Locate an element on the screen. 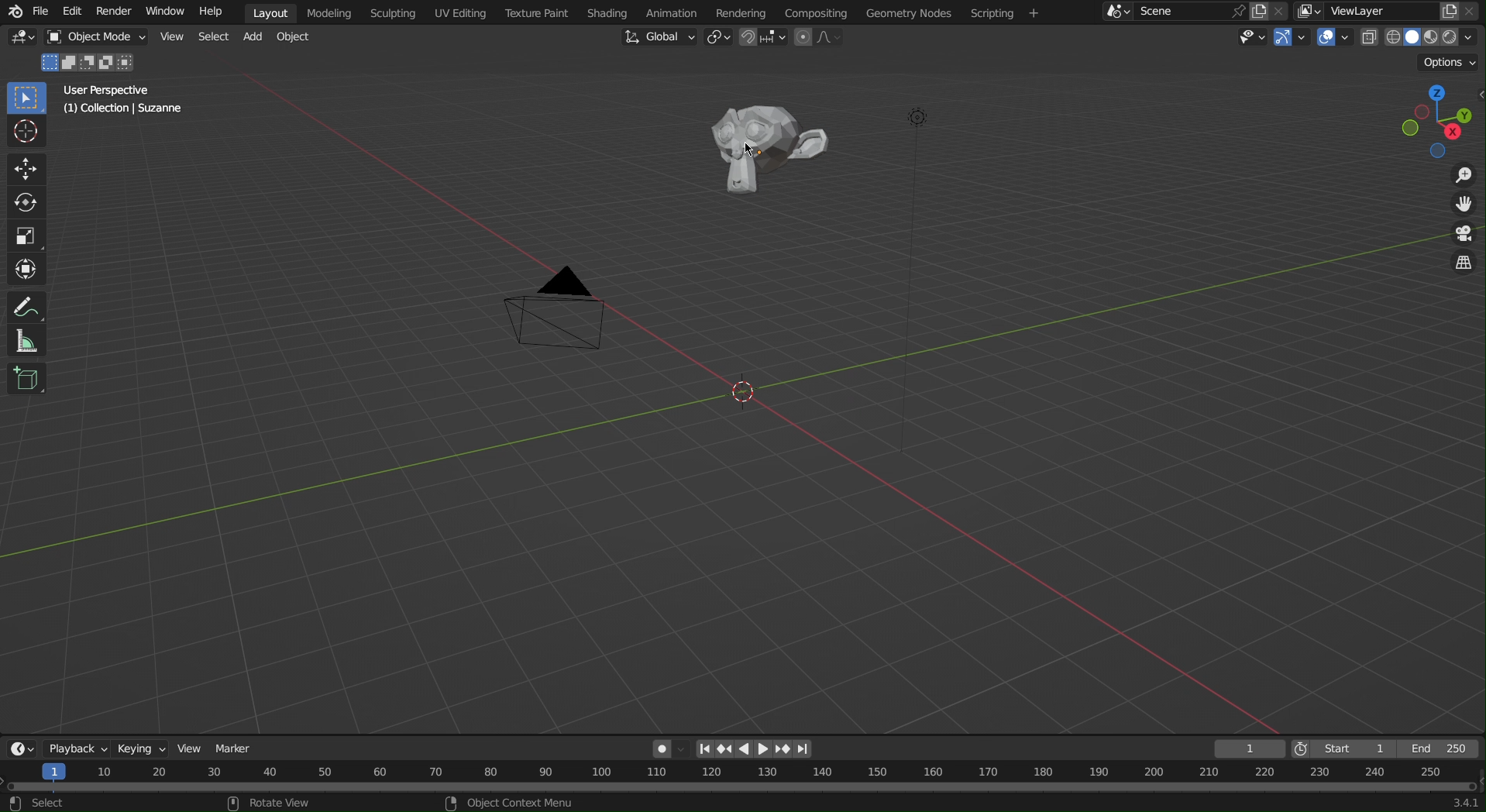 The width and height of the screenshot is (1486, 812). Select Box is located at coordinates (26, 97).